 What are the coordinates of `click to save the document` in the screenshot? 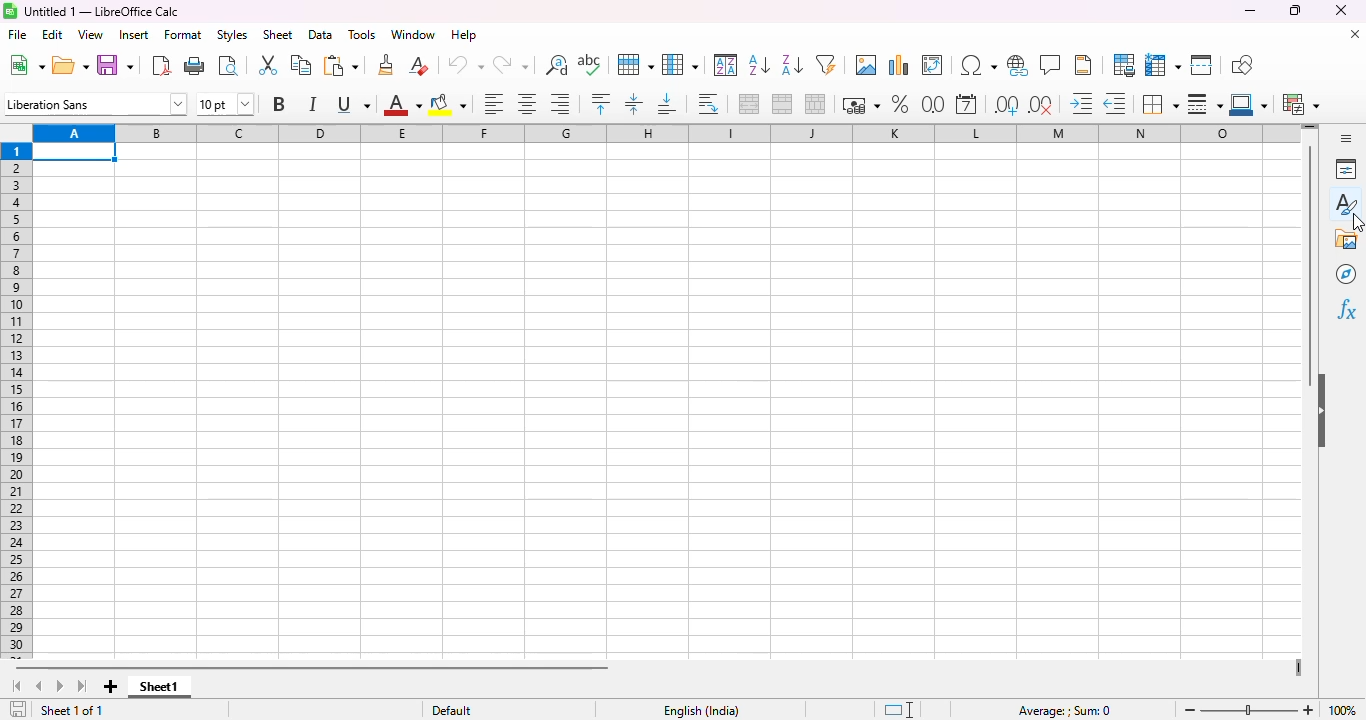 It's located at (18, 709).